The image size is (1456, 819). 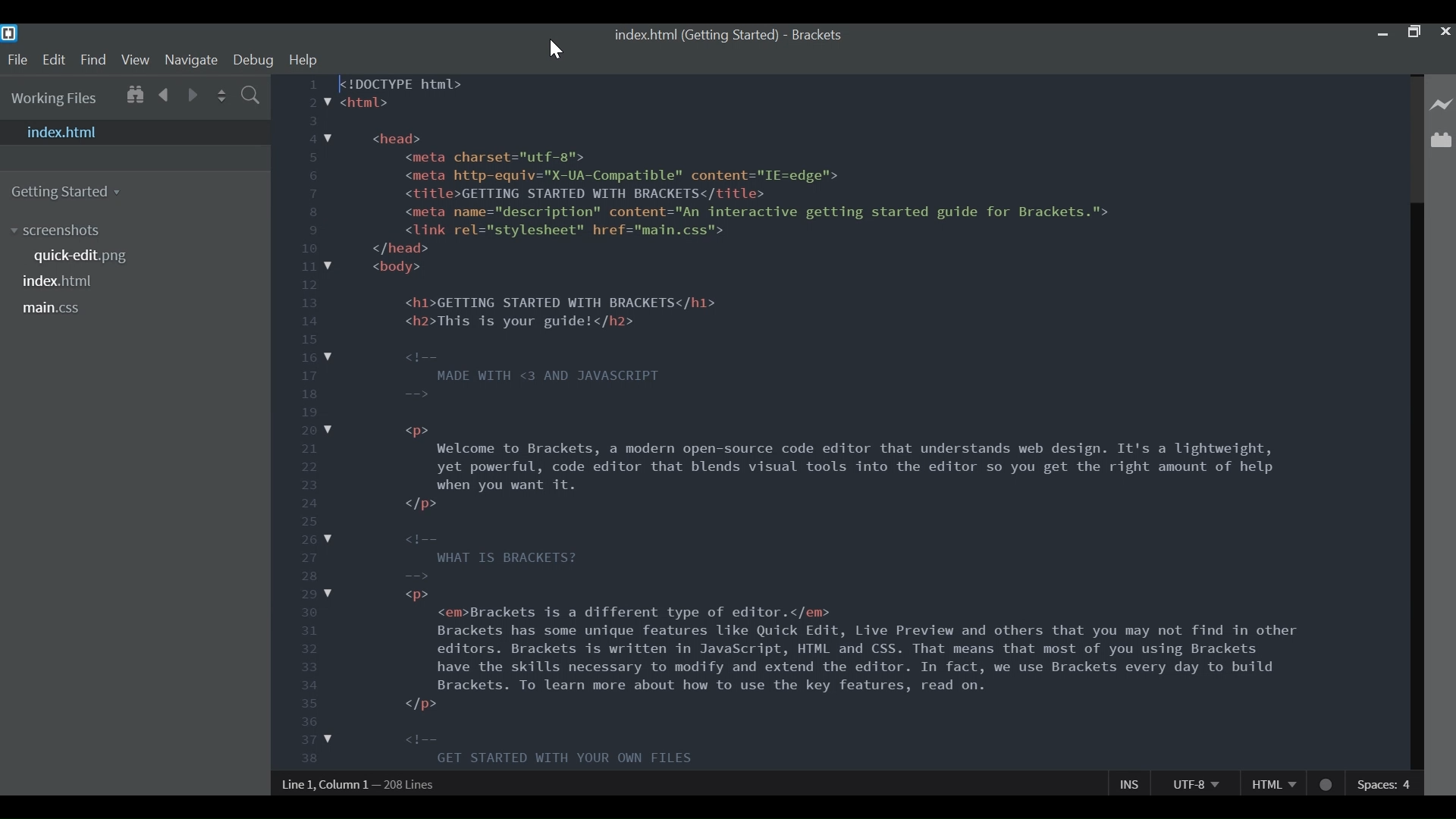 What do you see at coordinates (53, 62) in the screenshot?
I see `Edit` at bounding box center [53, 62].